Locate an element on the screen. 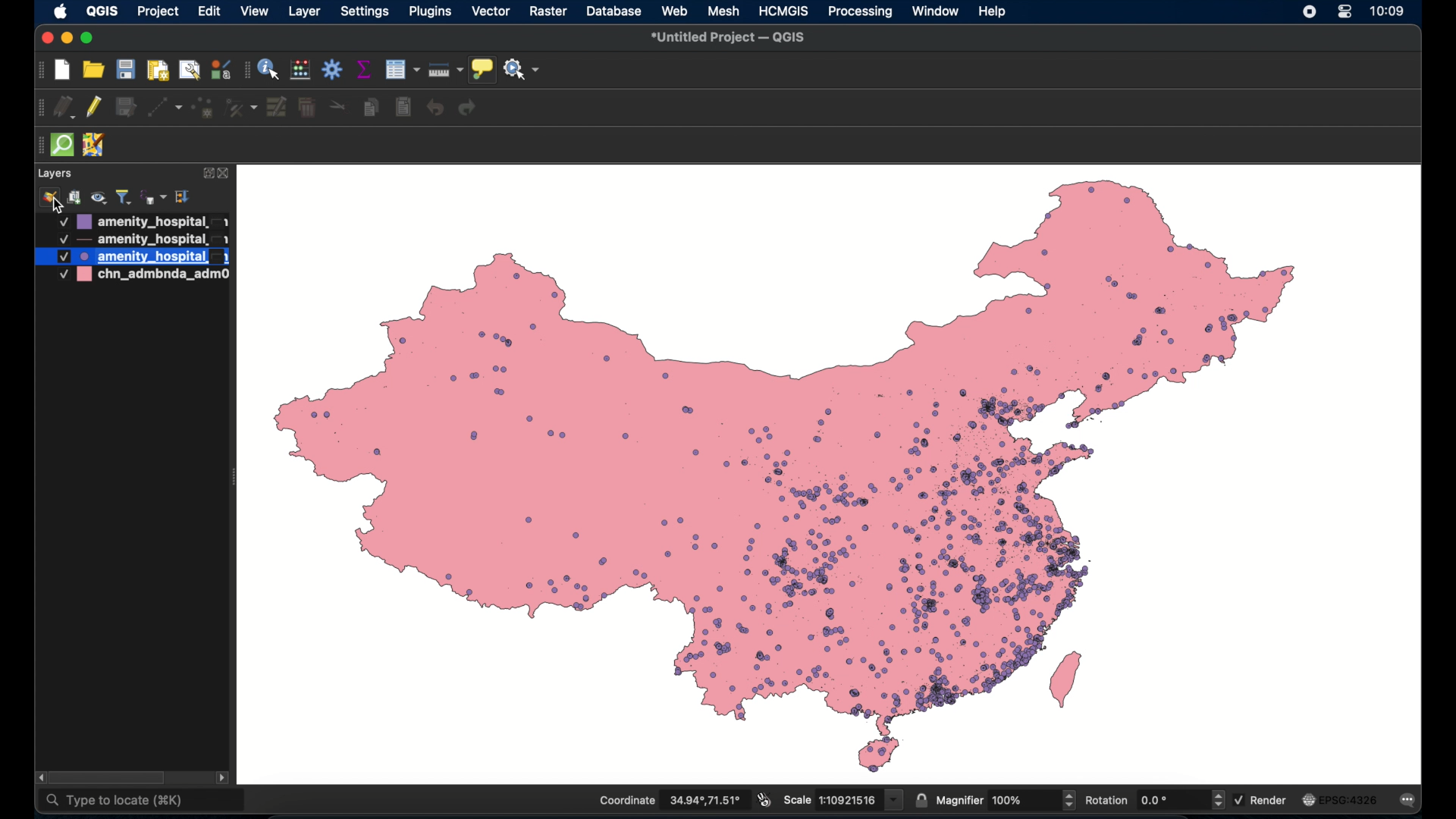 This screenshot has width=1456, height=819. show statistical summary is located at coordinates (365, 70).